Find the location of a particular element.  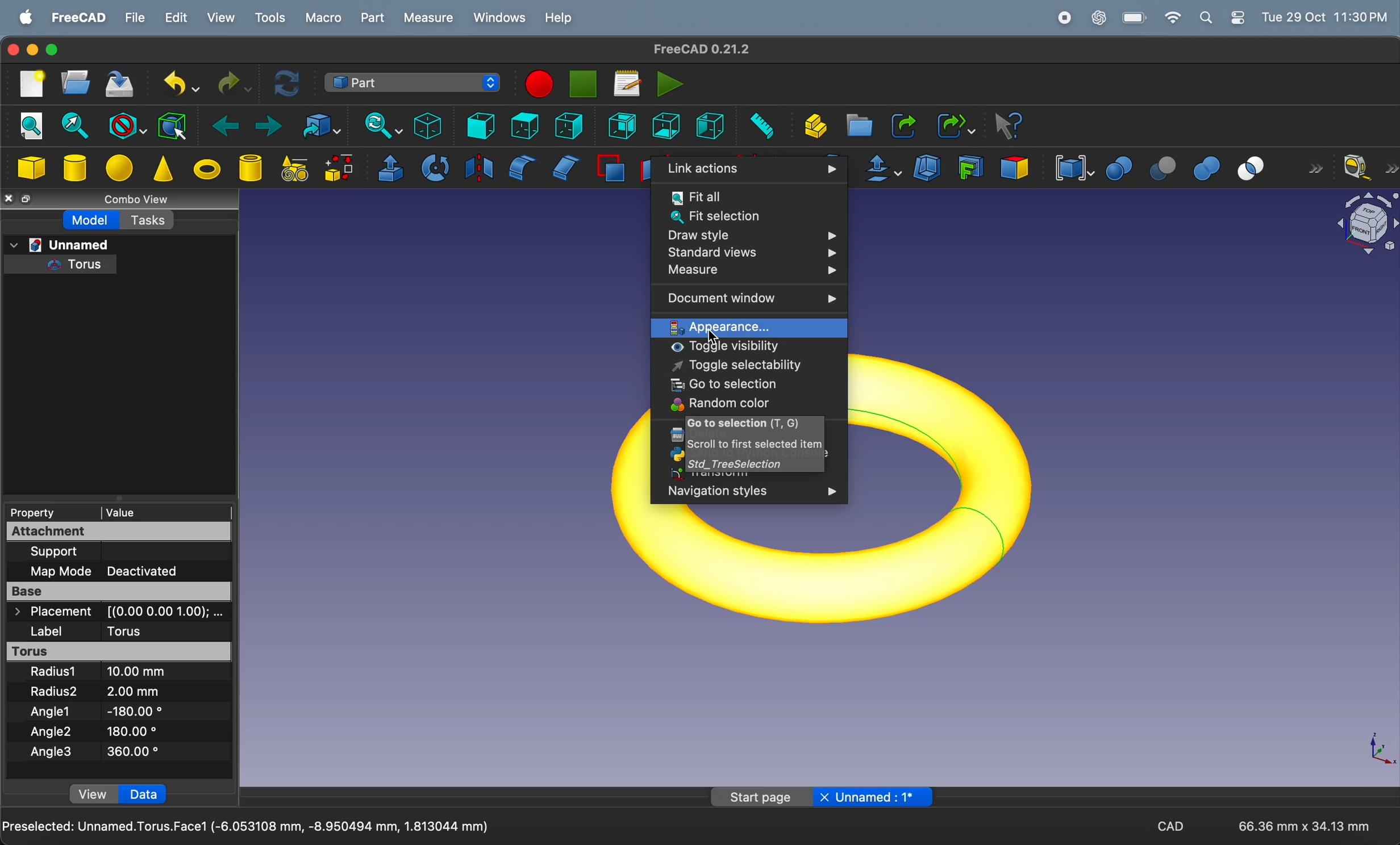

create part is located at coordinates (811, 126).